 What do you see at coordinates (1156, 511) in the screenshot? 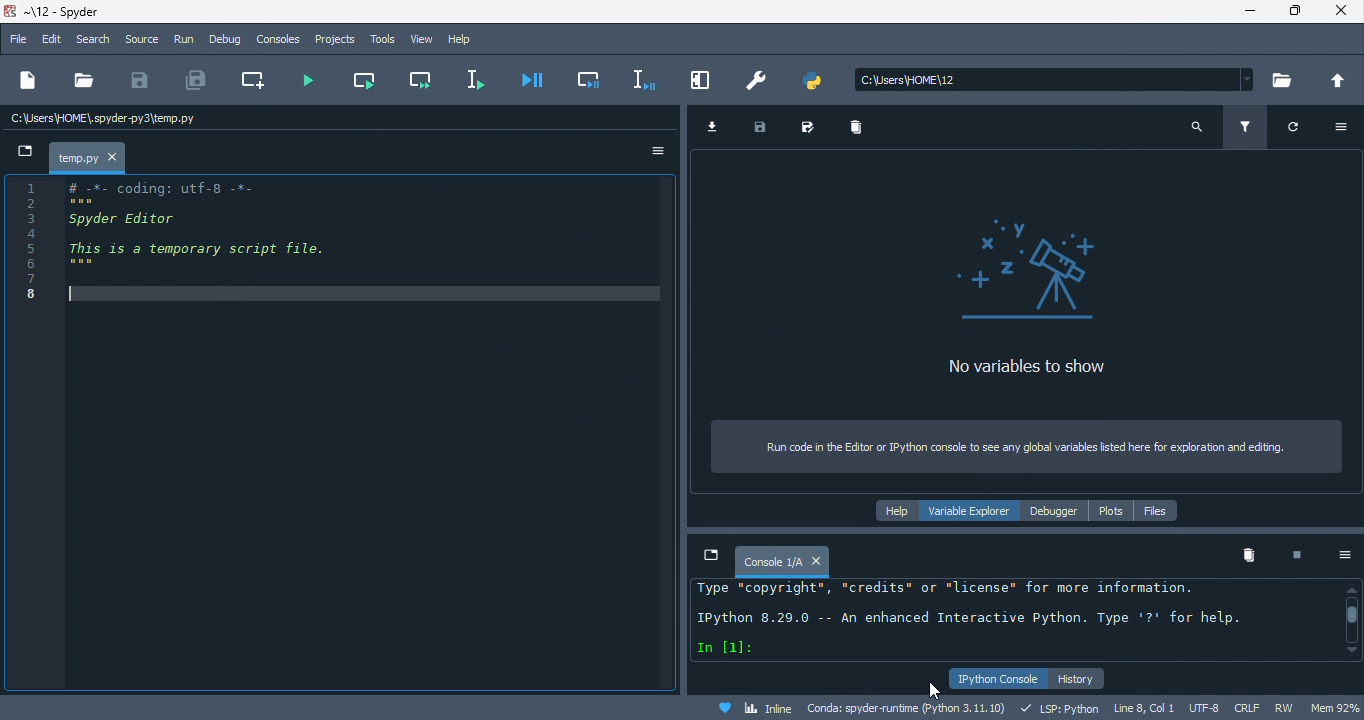
I see `files` at bounding box center [1156, 511].